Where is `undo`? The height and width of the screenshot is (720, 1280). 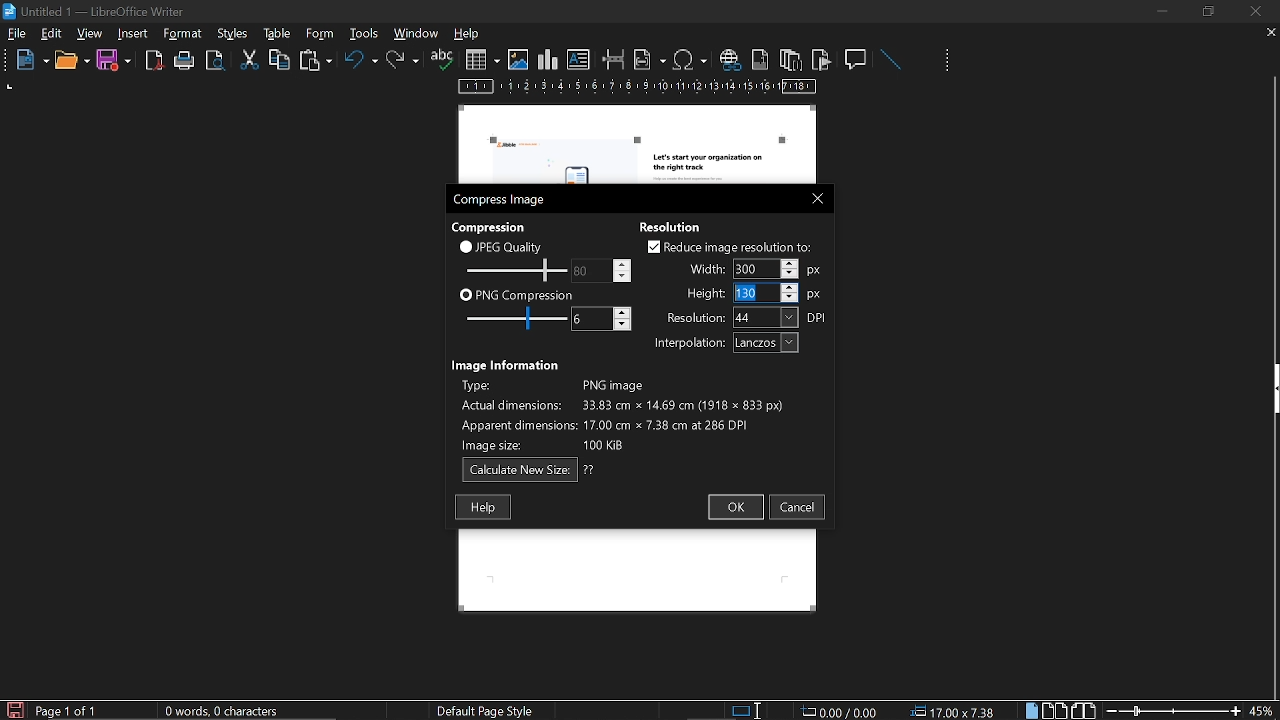 undo is located at coordinates (361, 63).